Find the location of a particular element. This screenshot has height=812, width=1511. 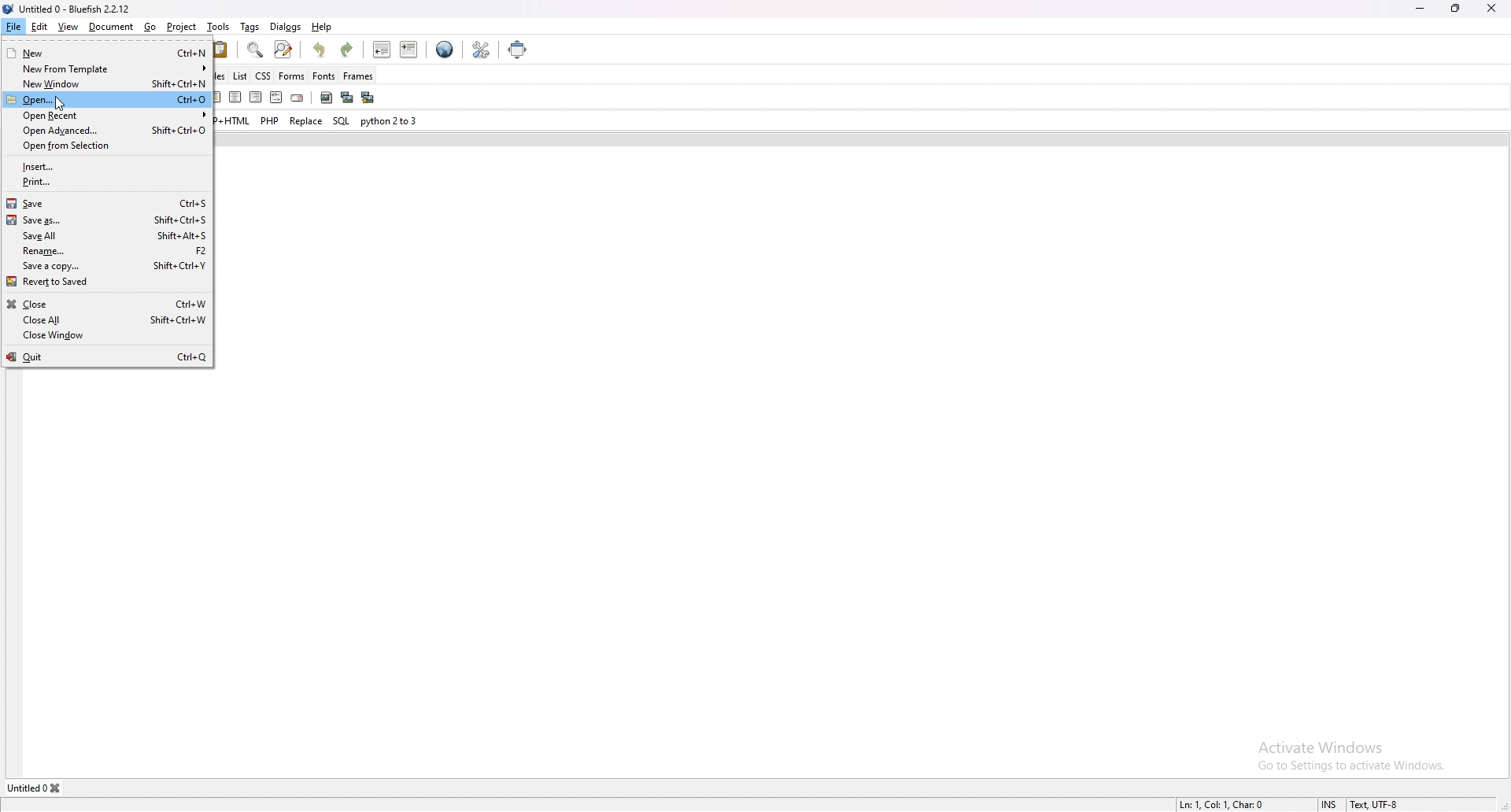

Ctrl+S is located at coordinates (192, 202).